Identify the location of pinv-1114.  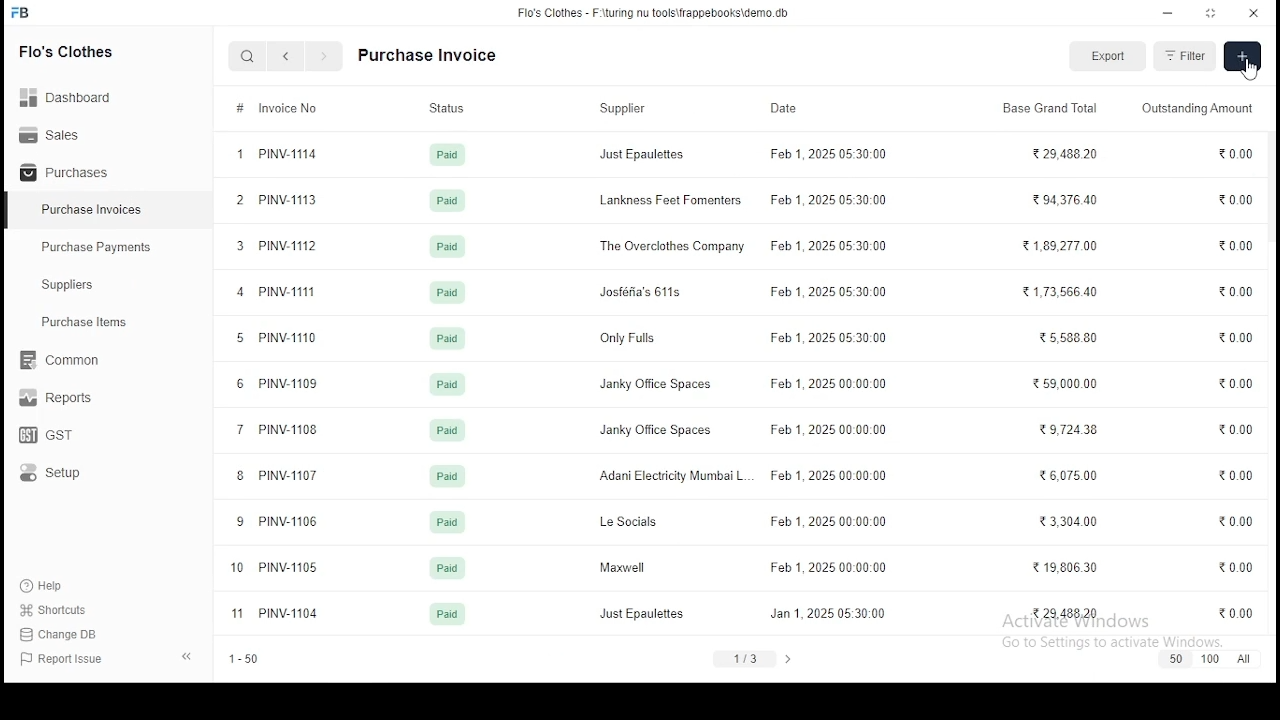
(288, 154).